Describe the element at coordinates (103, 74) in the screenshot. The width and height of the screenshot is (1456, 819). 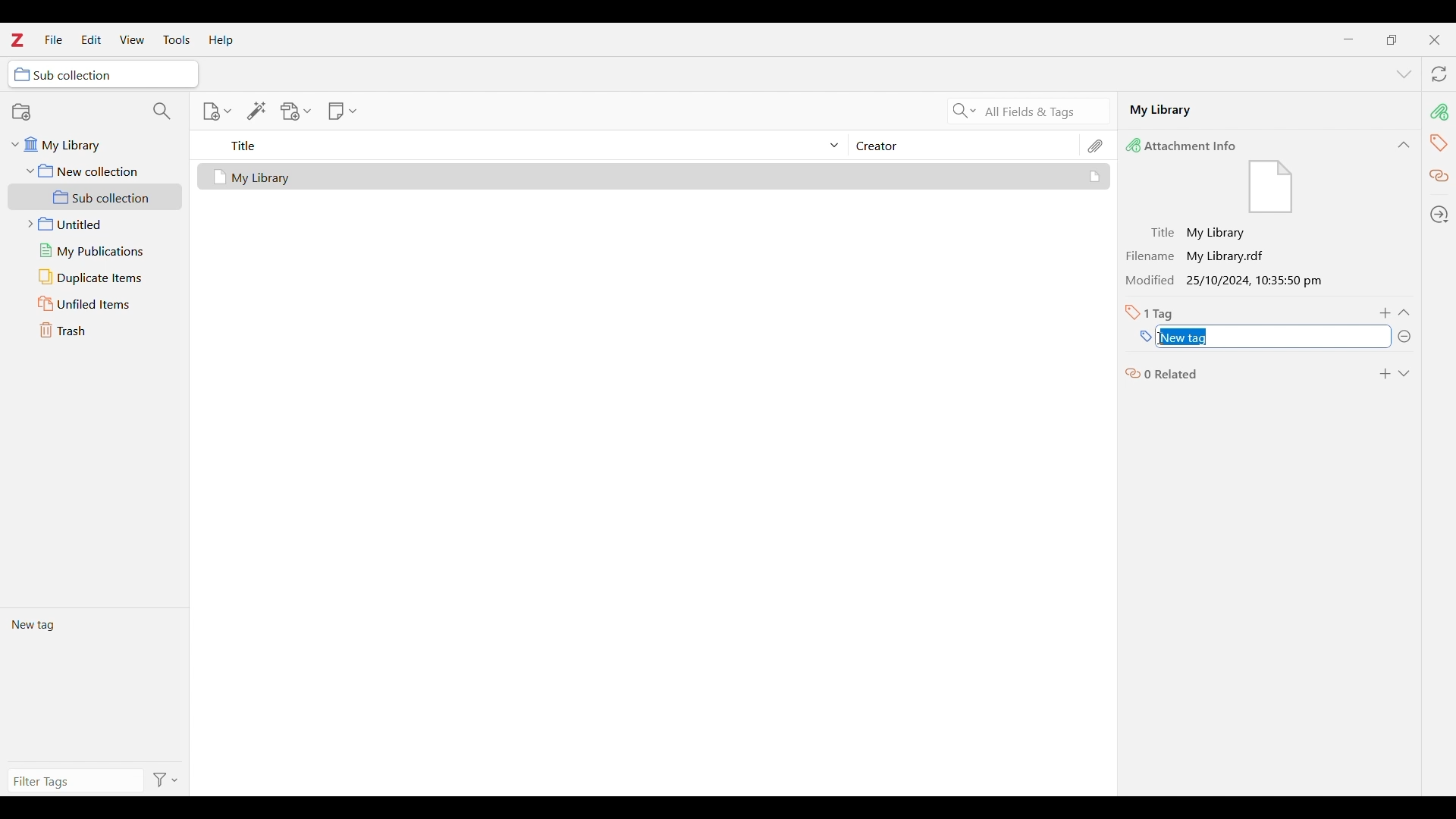
I see `Selected folder` at that location.